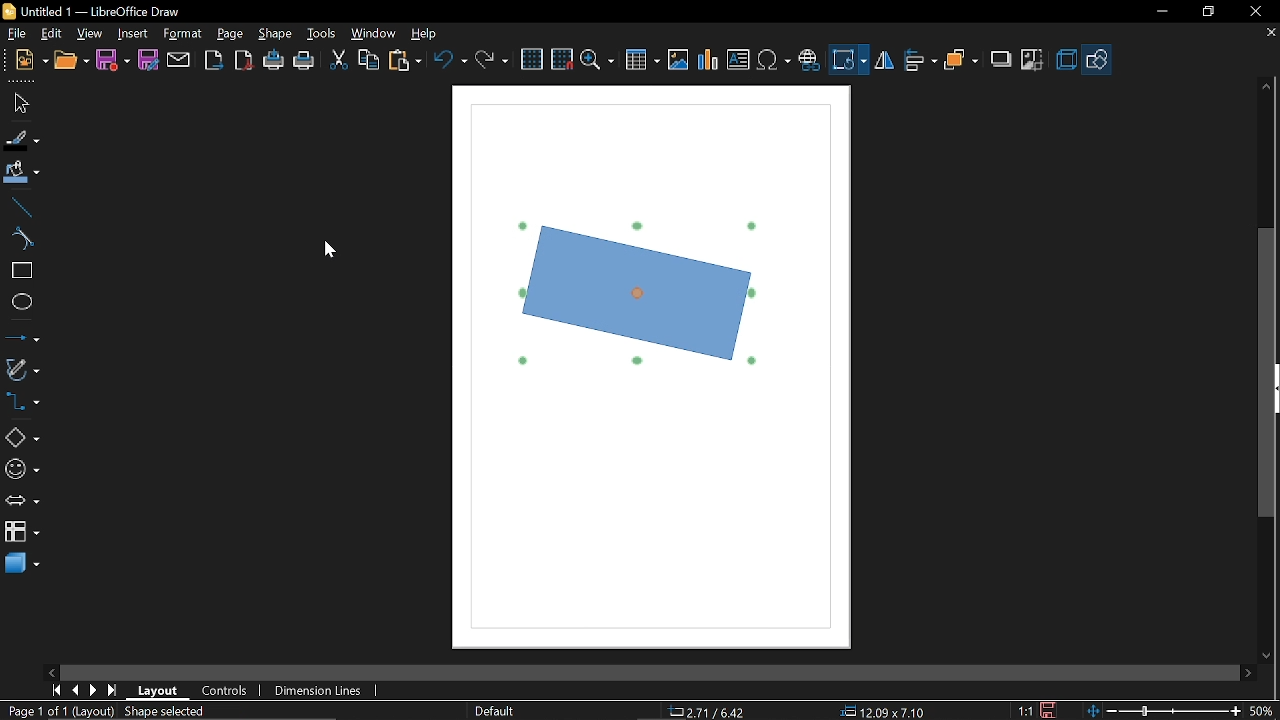 The width and height of the screenshot is (1280, 720). What do you see at coordinates (21, 304) in the screenshot?
I see `ellipse` at bounding box center [21, 304].